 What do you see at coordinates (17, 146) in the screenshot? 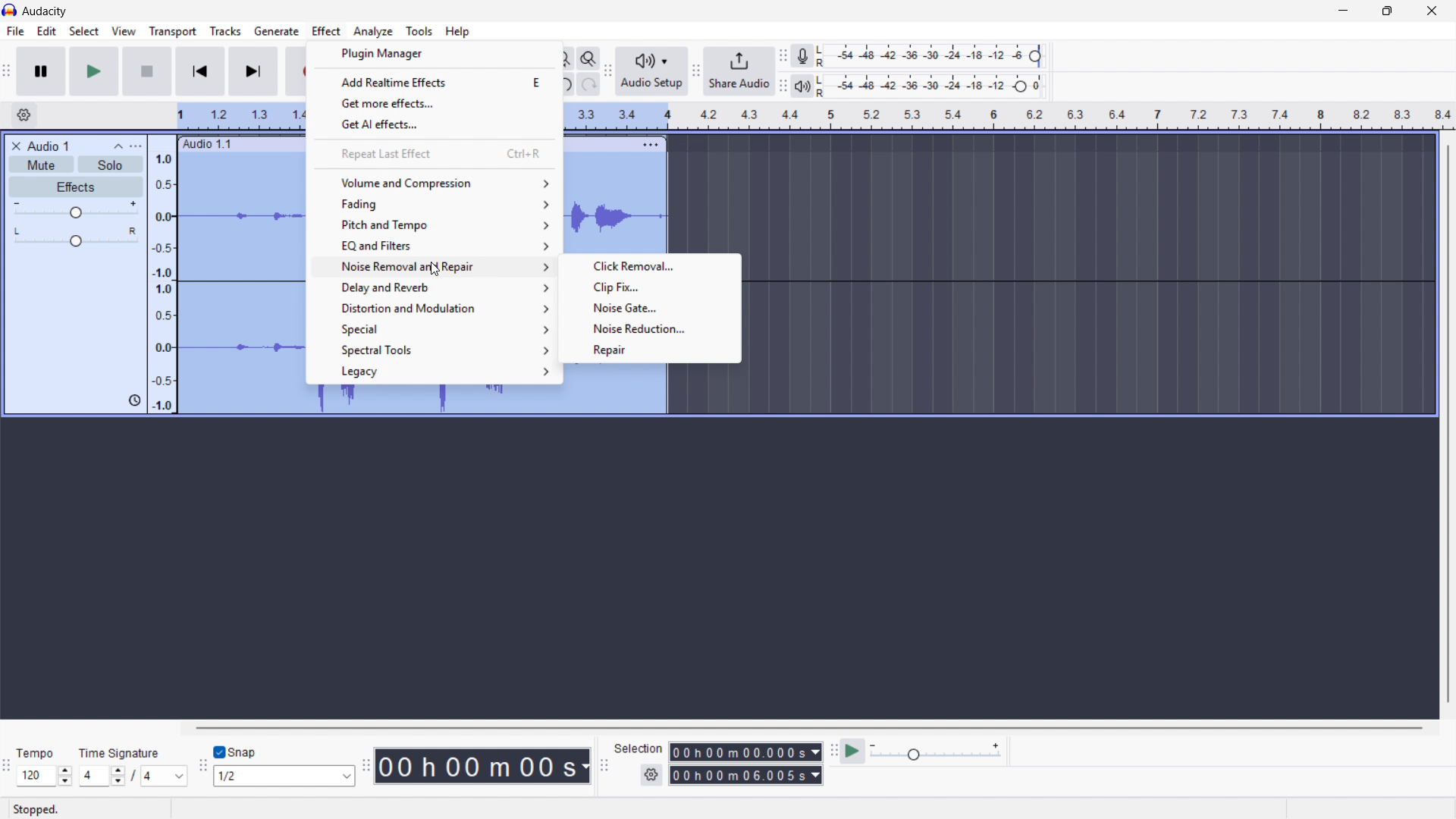
I see `Remove track ` at bounding box center [17, 146].